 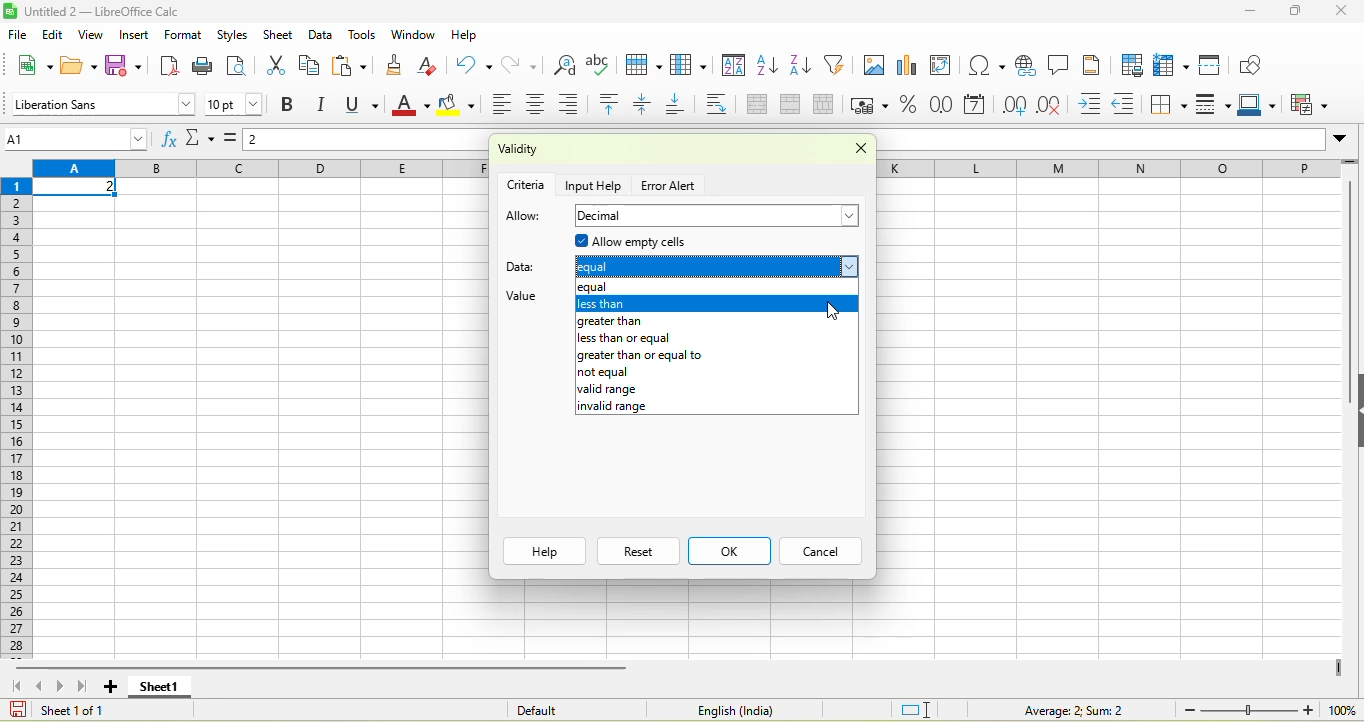 What do you see at coordinates (234, 143) in the screenshot?
I see `formula` at bounding box center [234, 143].